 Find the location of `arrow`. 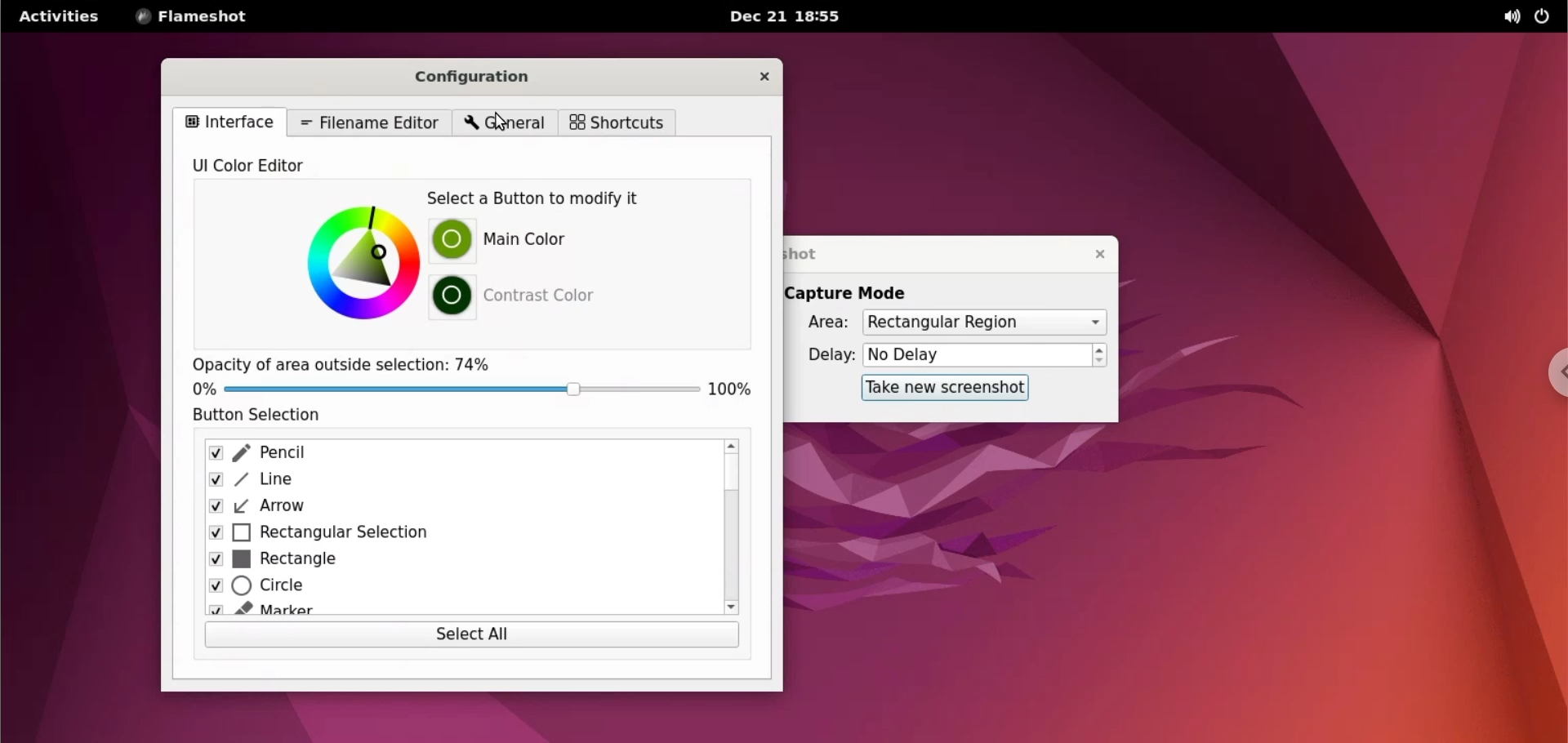

arrow is located at coordinates (447, 506).